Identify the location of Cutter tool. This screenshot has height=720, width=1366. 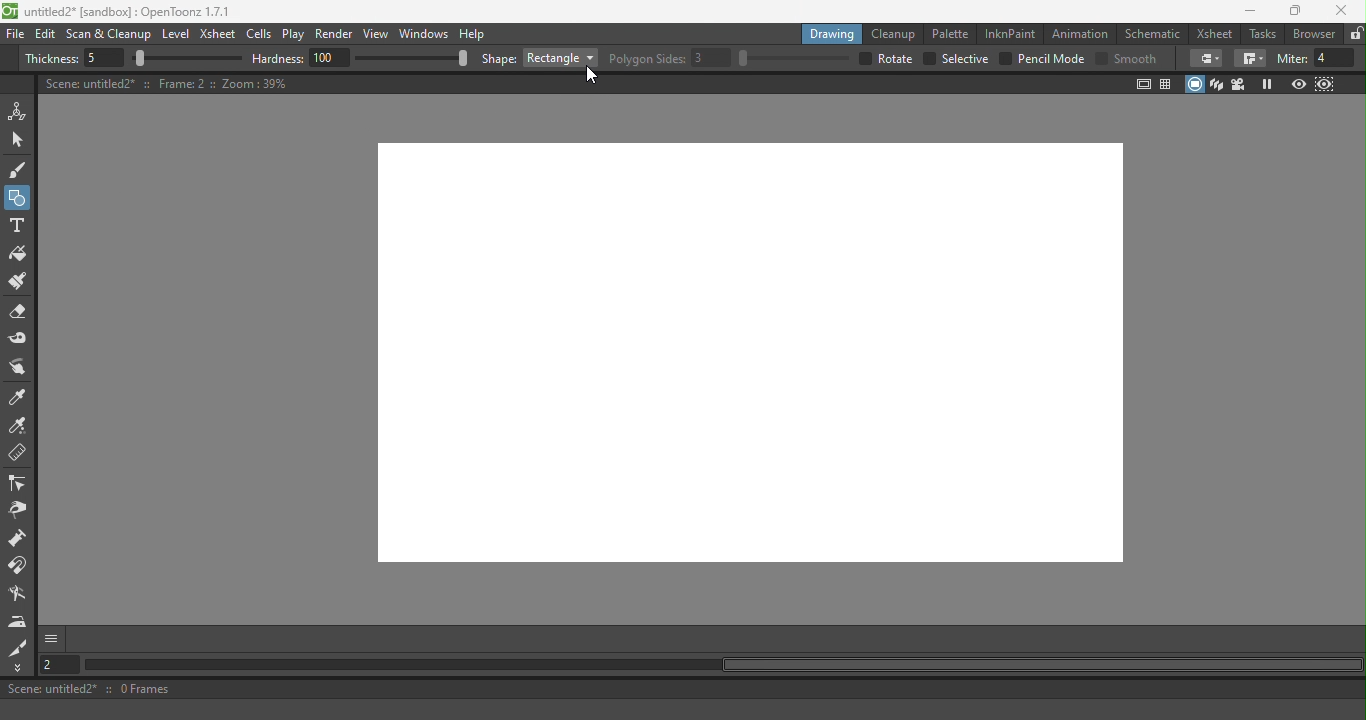
(21, 648).